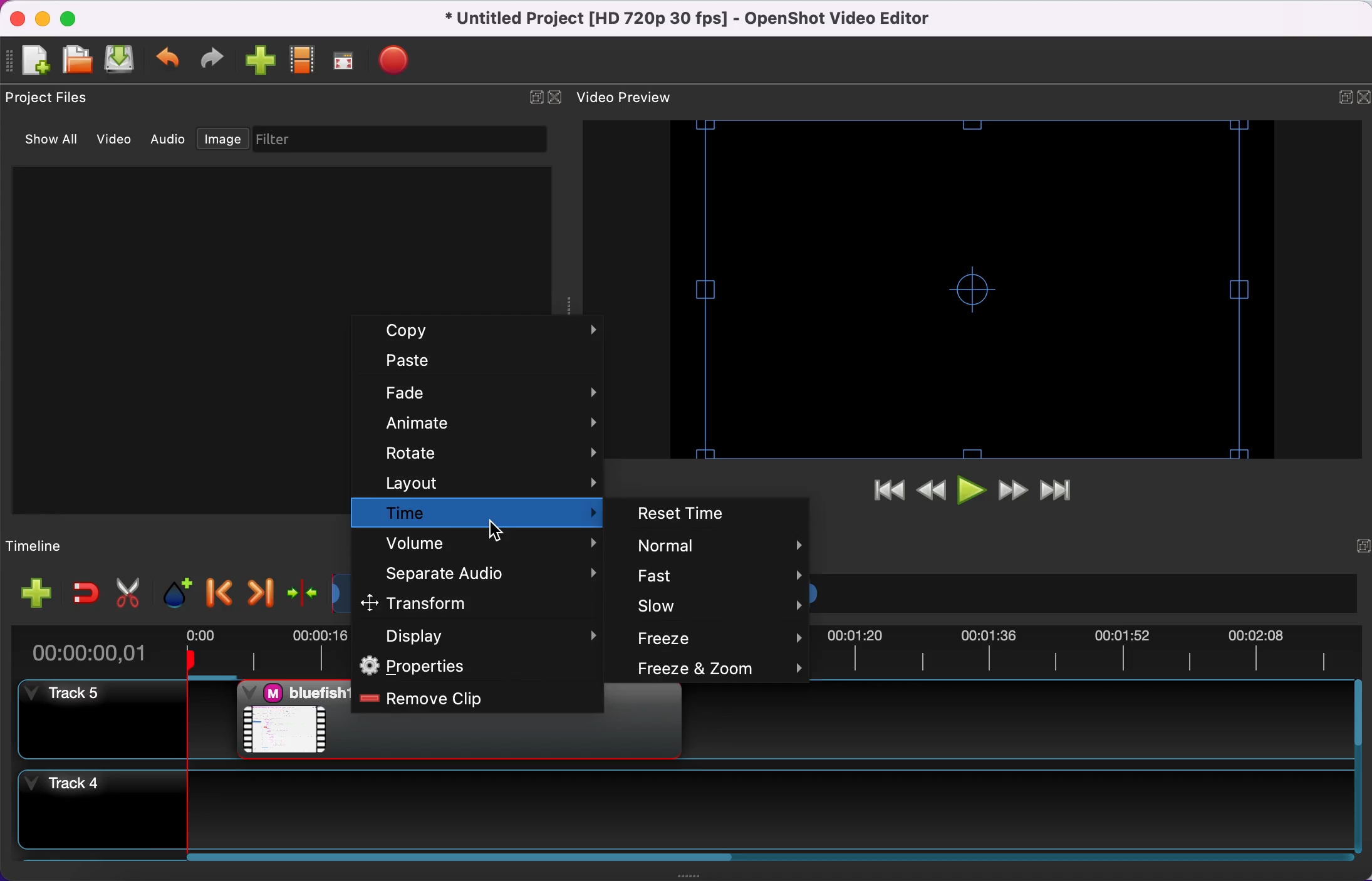  I want to click on save file, so click(123, 61).